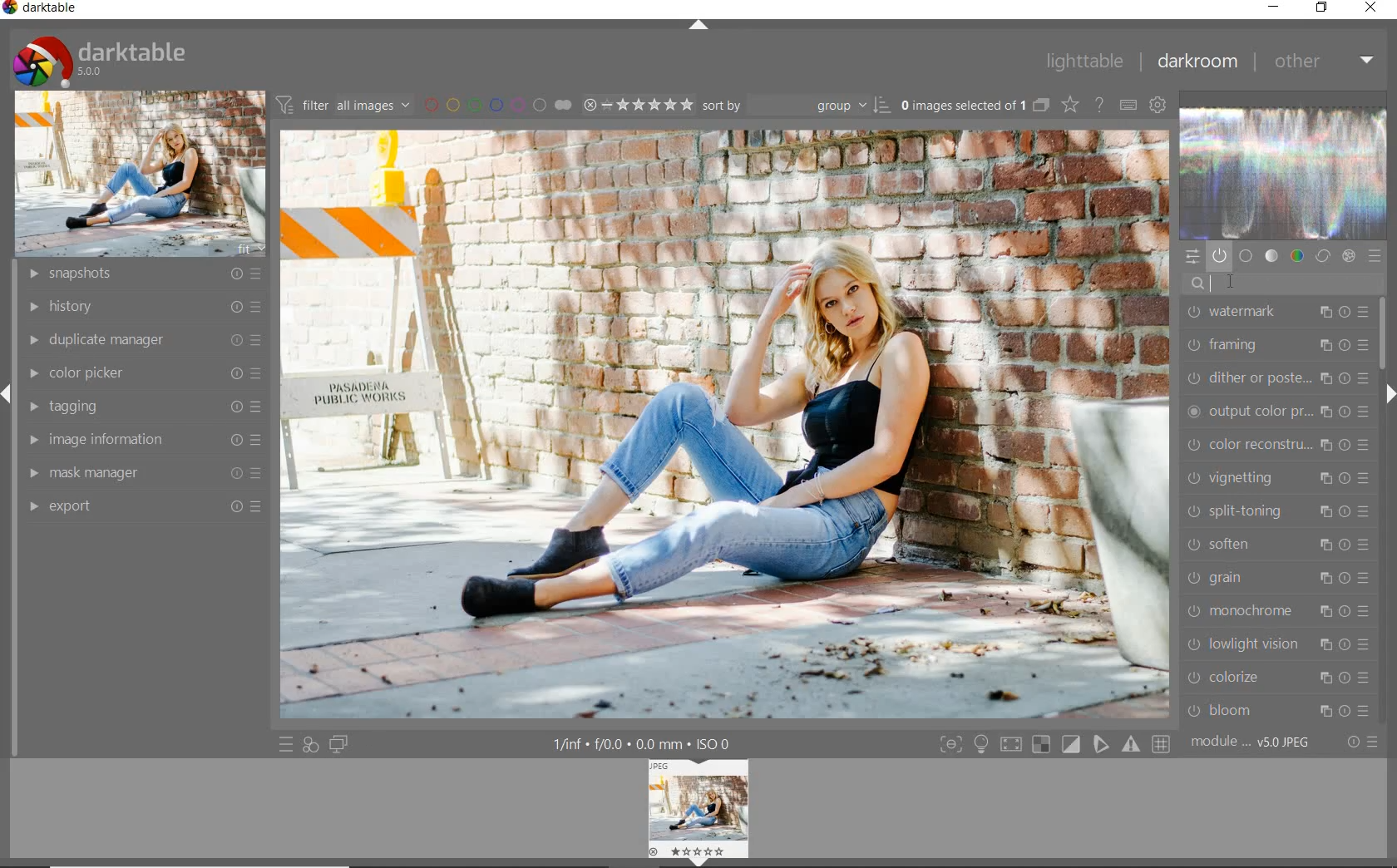 This screenshot has height=868, width=1397. What do you see at coordinates (1372, 9) in the screenshot?
I see `close` at bounding box center [1372, 9].